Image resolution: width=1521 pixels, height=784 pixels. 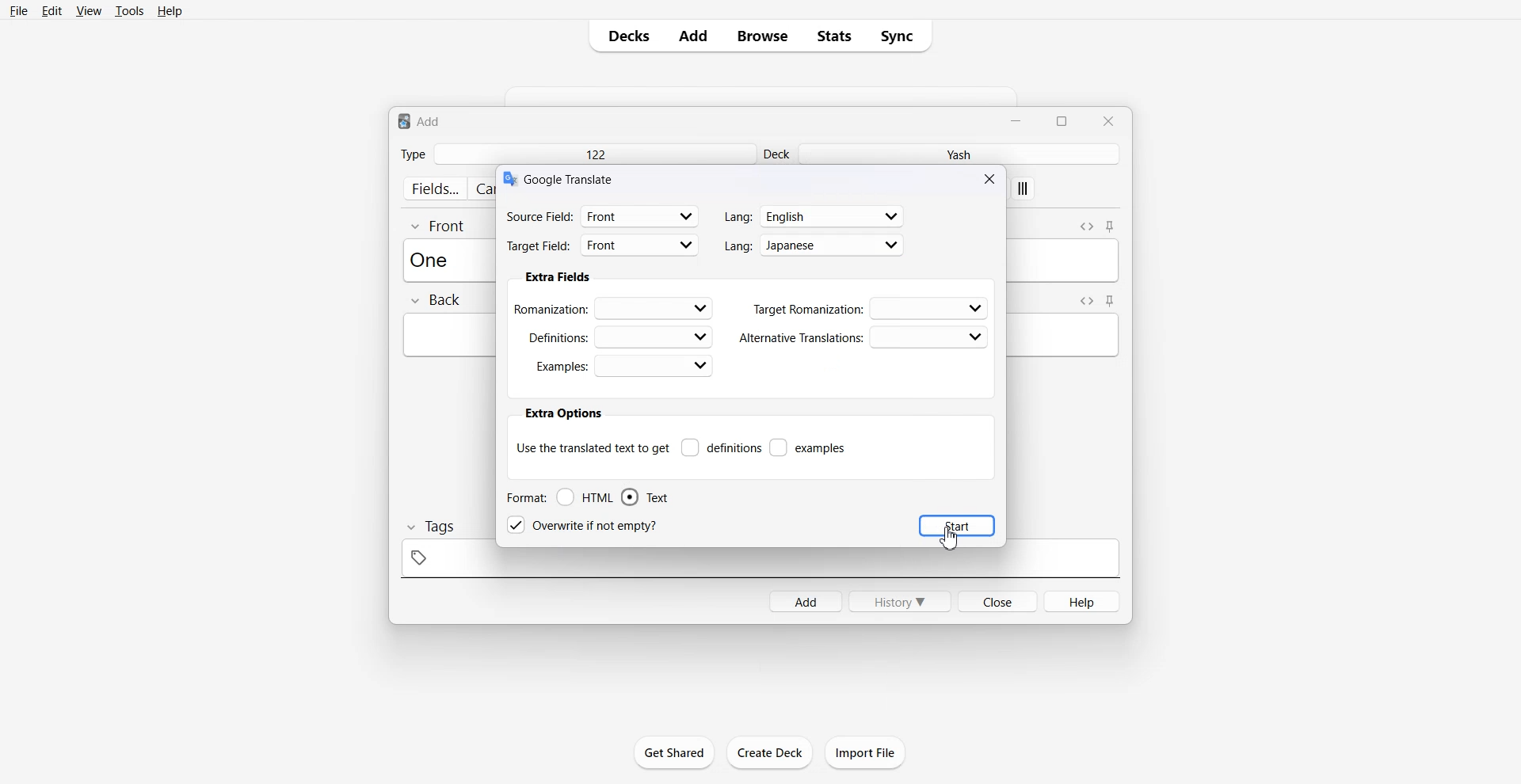 I want to click on File, so click(x=20, y=10).